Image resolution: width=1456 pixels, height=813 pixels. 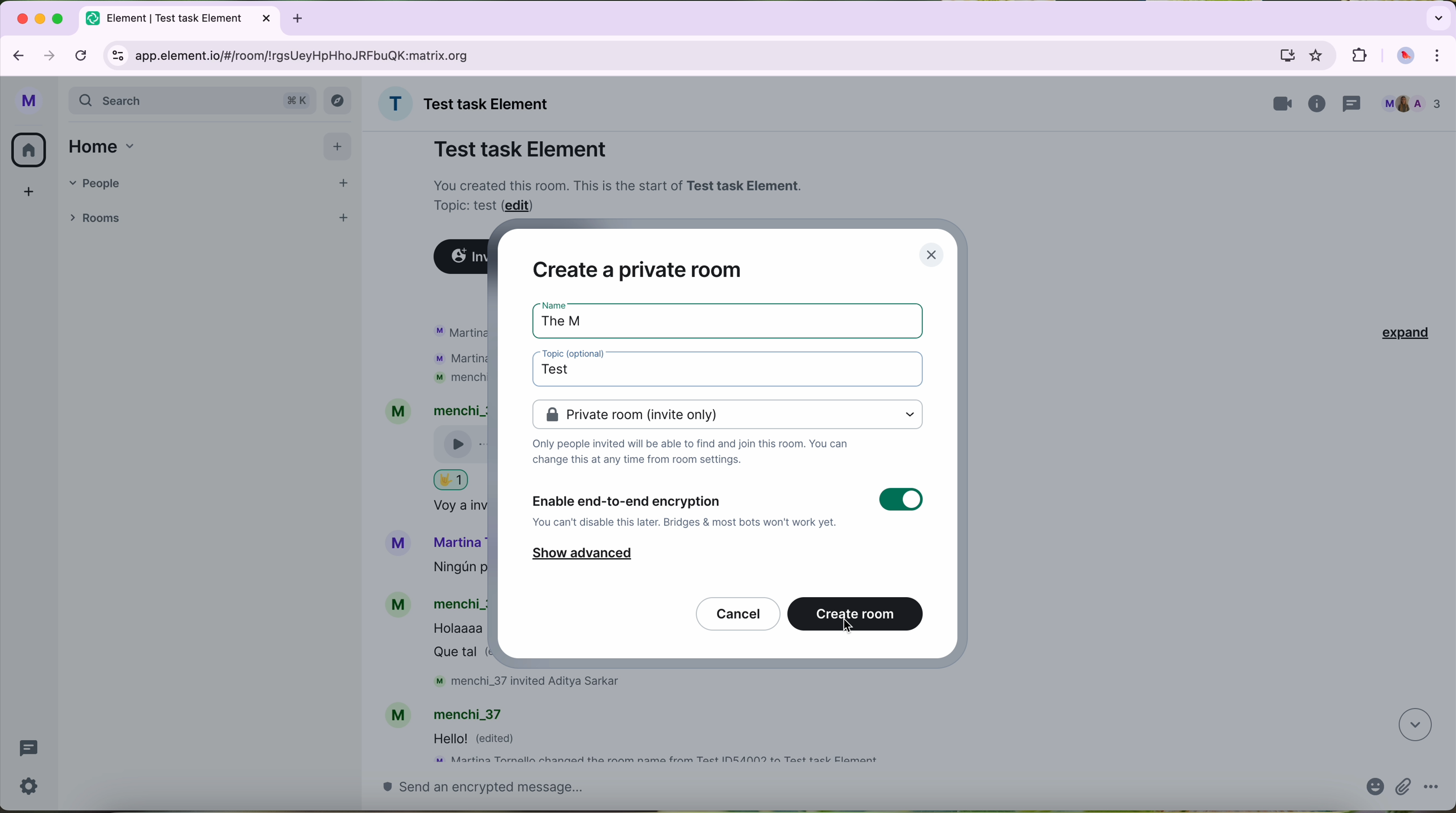 I want to click on name, so click(x=469, y=103).